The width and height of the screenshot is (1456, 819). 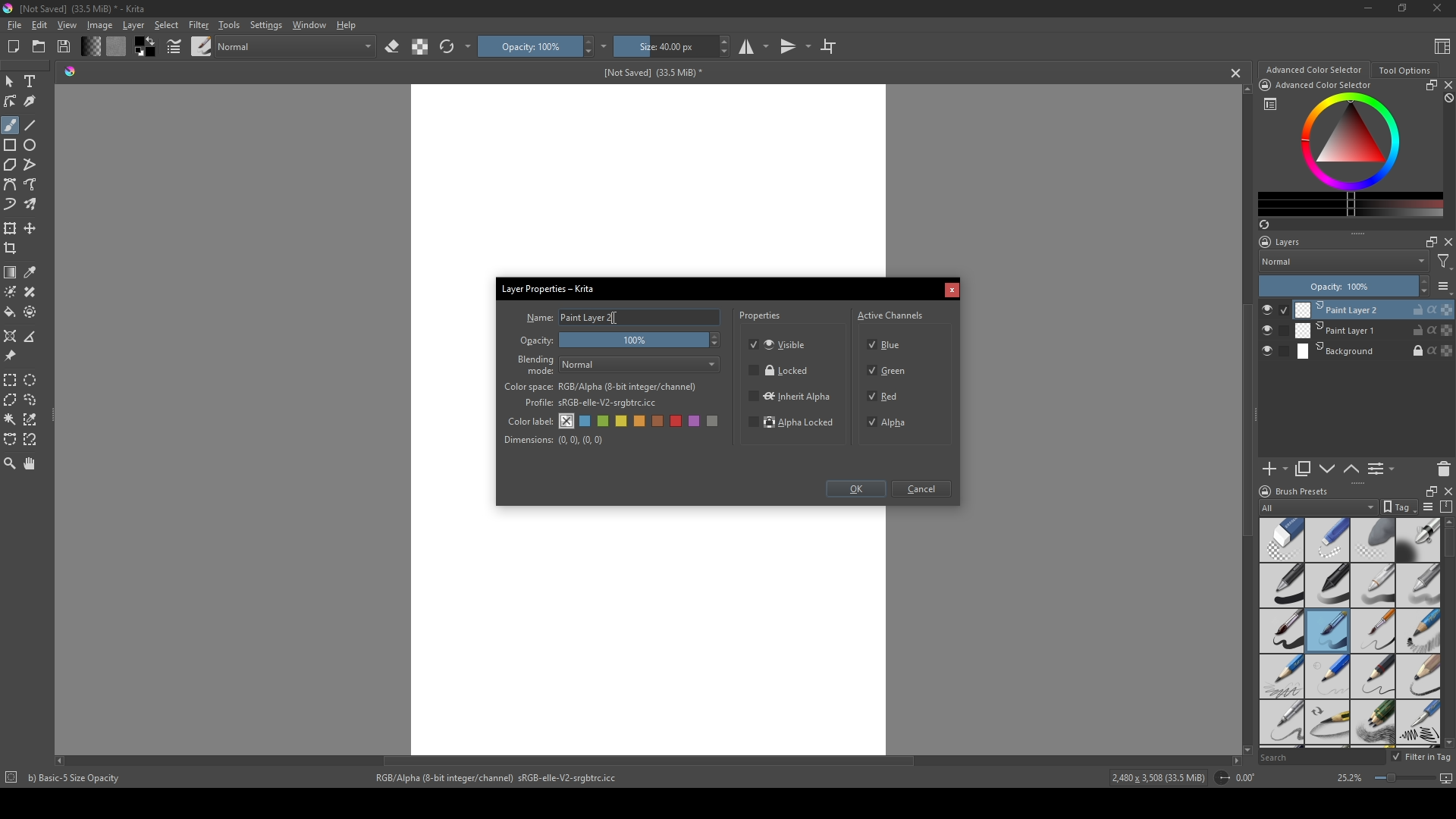 What do you see at coordinates (1303, 491) in the screenshot?
I see `Brush presets` at bounding box center [1303, 491].